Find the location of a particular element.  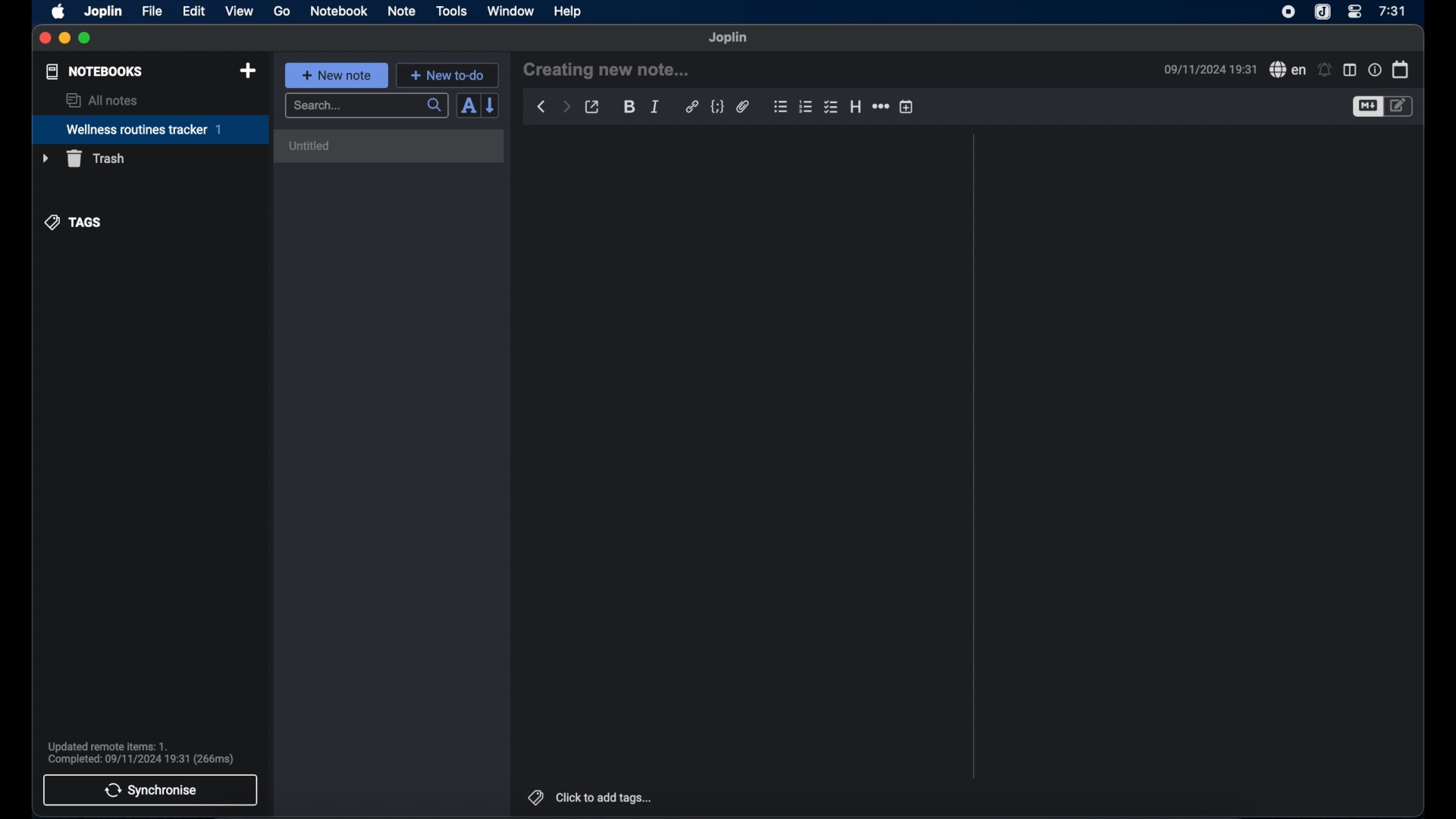

calendar is located at coordinates (1401, 69).